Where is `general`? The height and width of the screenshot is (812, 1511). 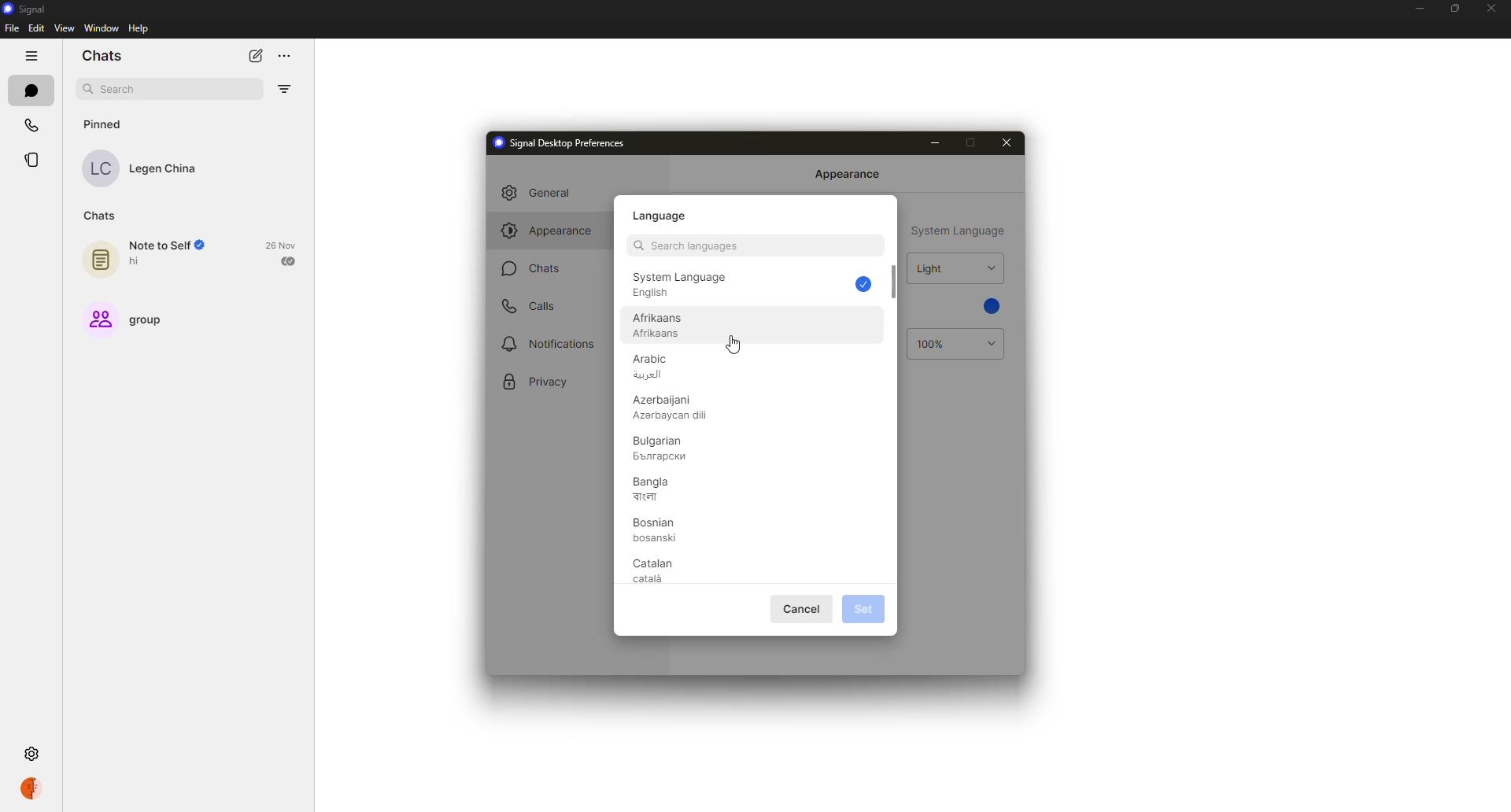
general is located at coordinates (548, 194).